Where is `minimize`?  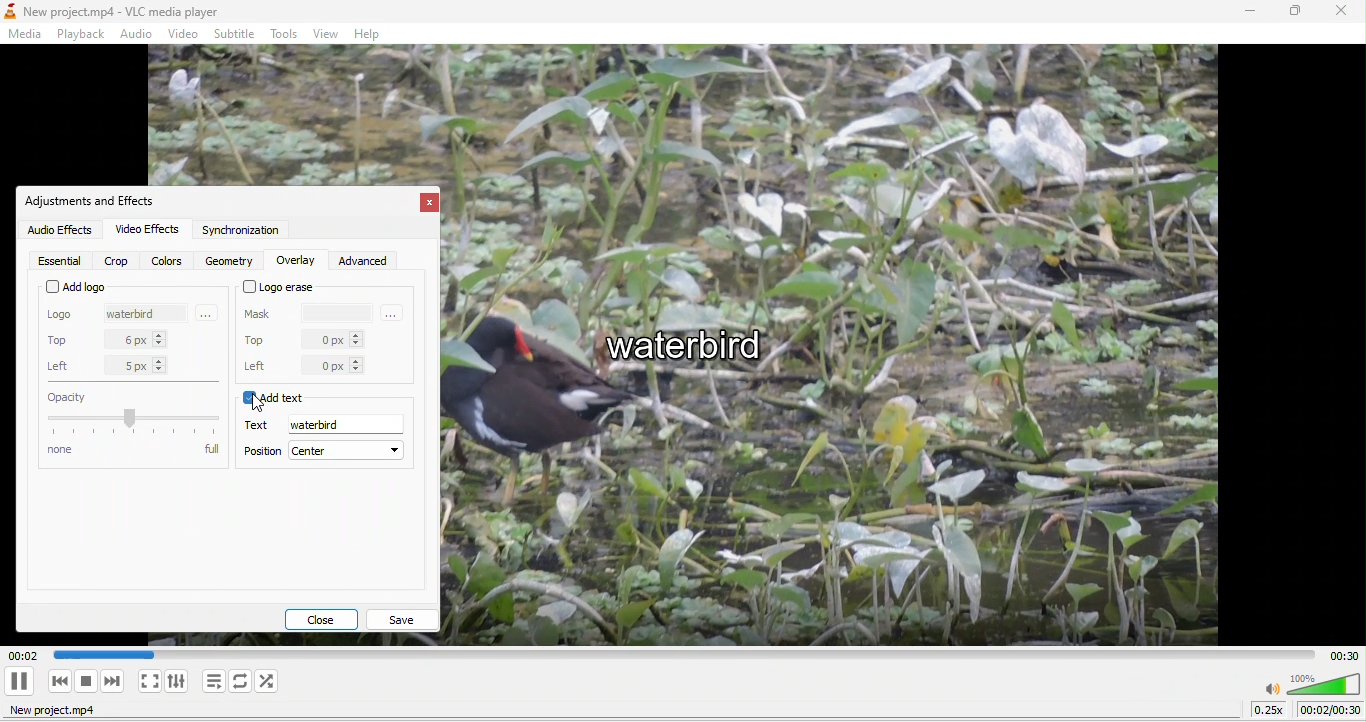
minimize is located at coordinates (1241, 12).